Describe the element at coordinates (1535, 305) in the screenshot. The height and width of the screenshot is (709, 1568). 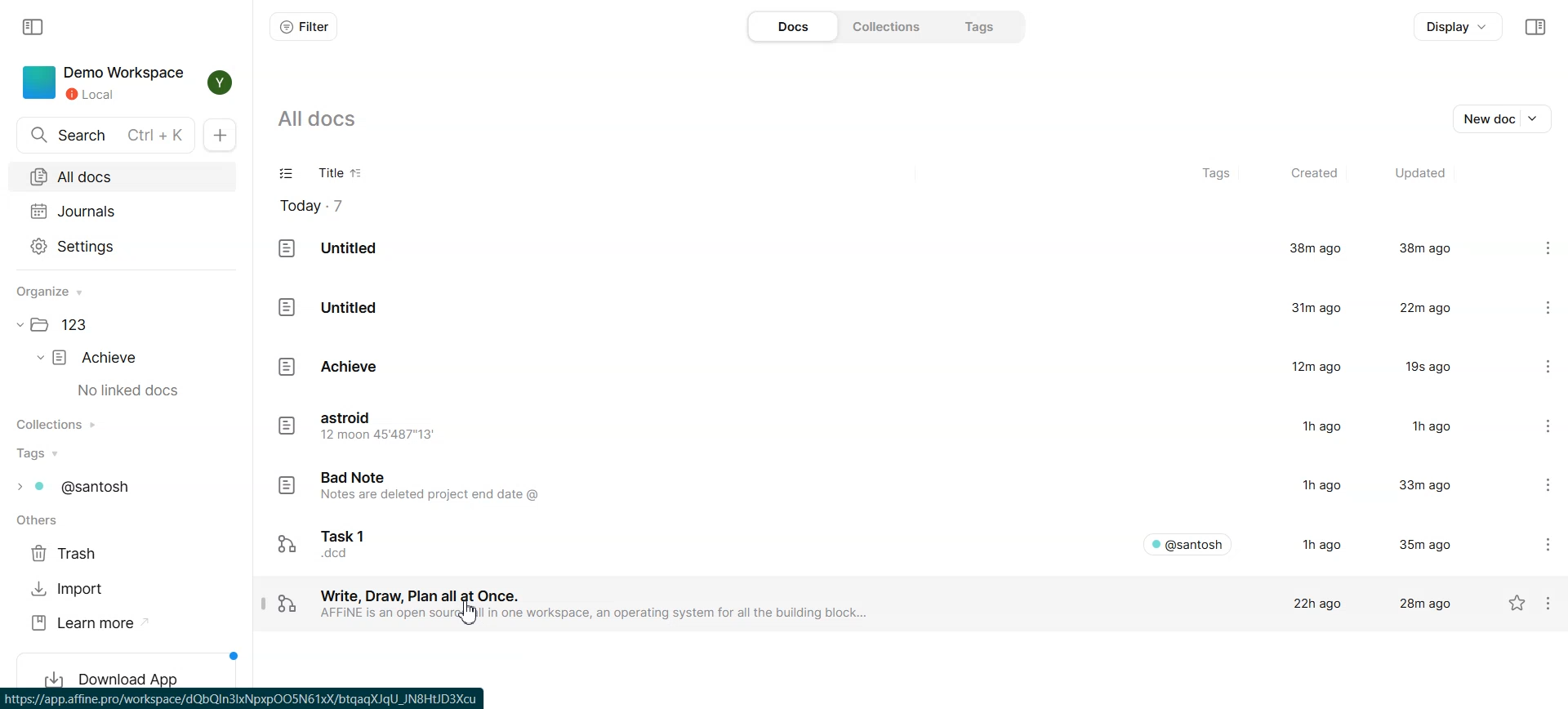
I see `Settings` at that location.